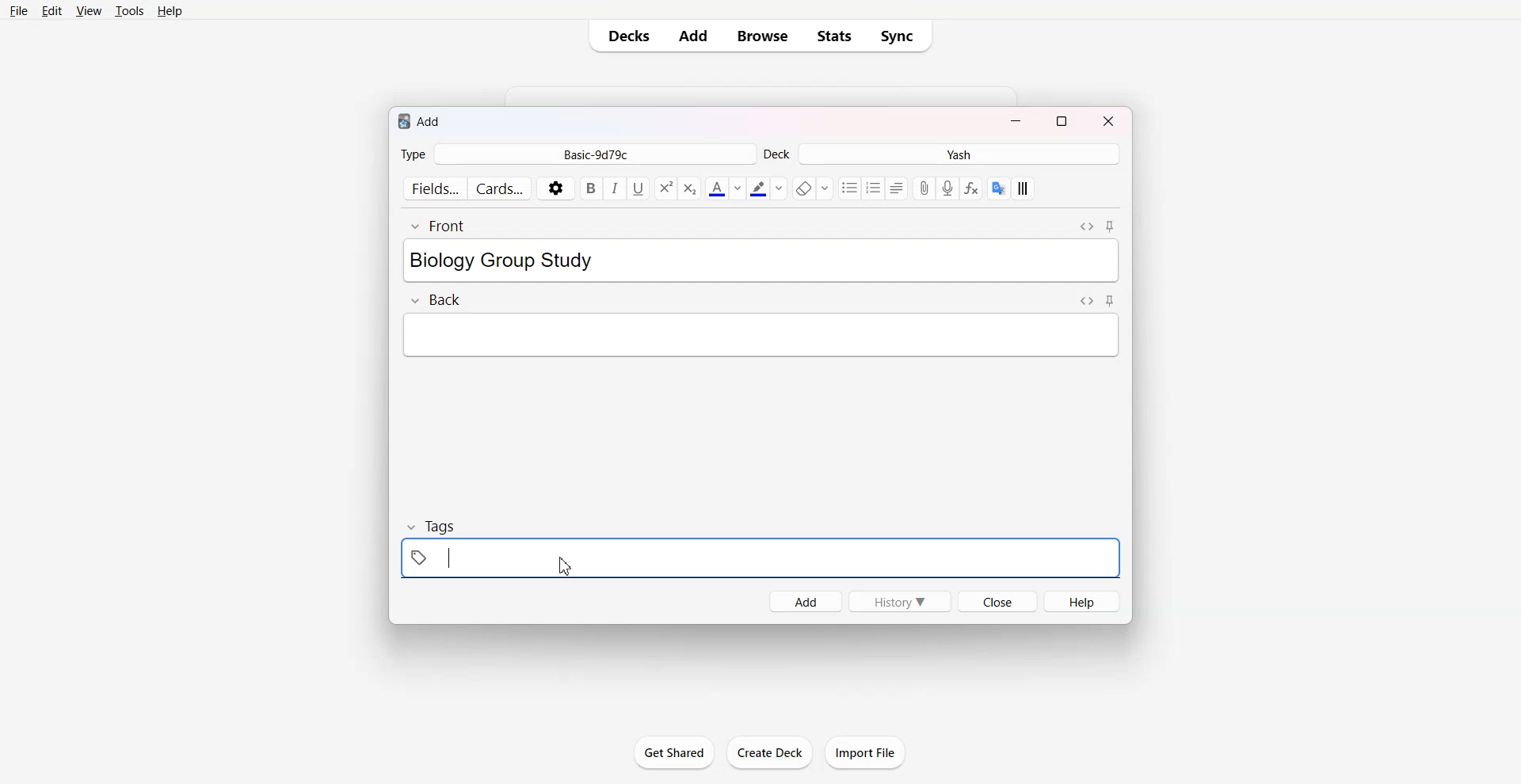 This screenshot has height=784, width=1521. Describe the element at coordinates (690, 188) in the screenshot. I see `Superscript` at that location.